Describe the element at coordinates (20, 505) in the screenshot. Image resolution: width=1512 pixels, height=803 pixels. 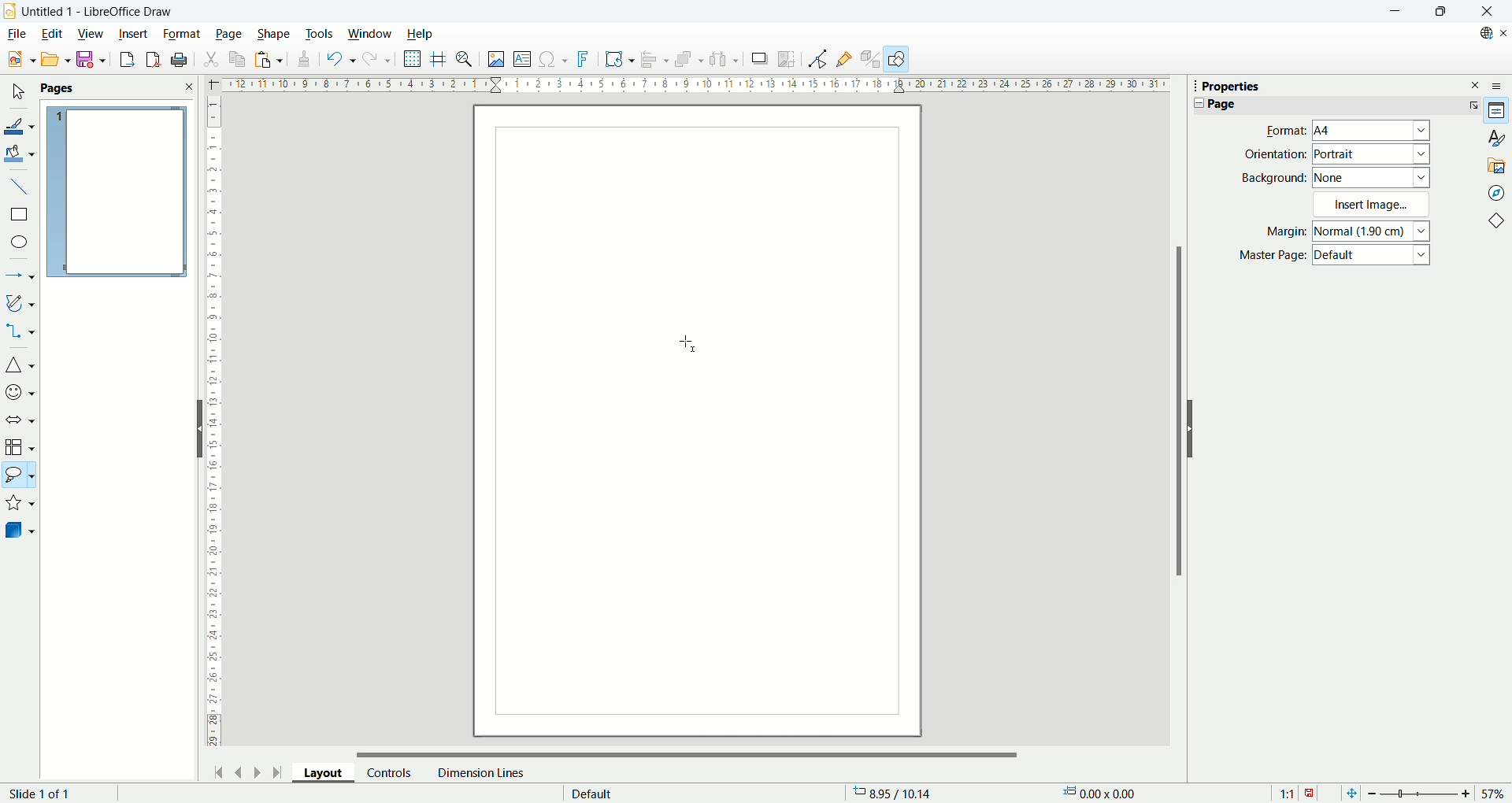
I see `stars and banners` at that location.